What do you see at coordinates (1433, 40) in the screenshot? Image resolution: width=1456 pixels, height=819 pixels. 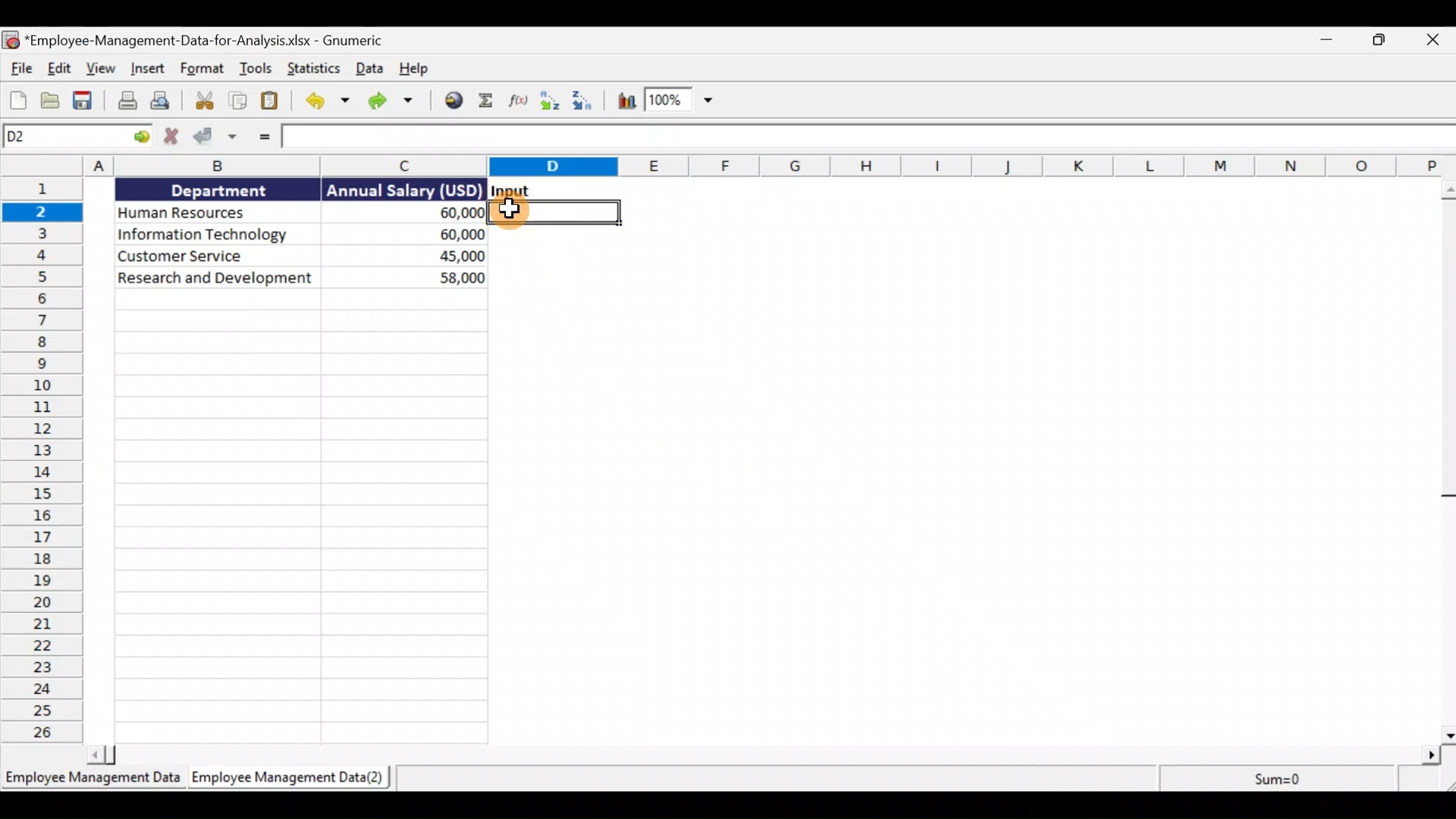 I see `Close` at bounding box center [1433, 40].